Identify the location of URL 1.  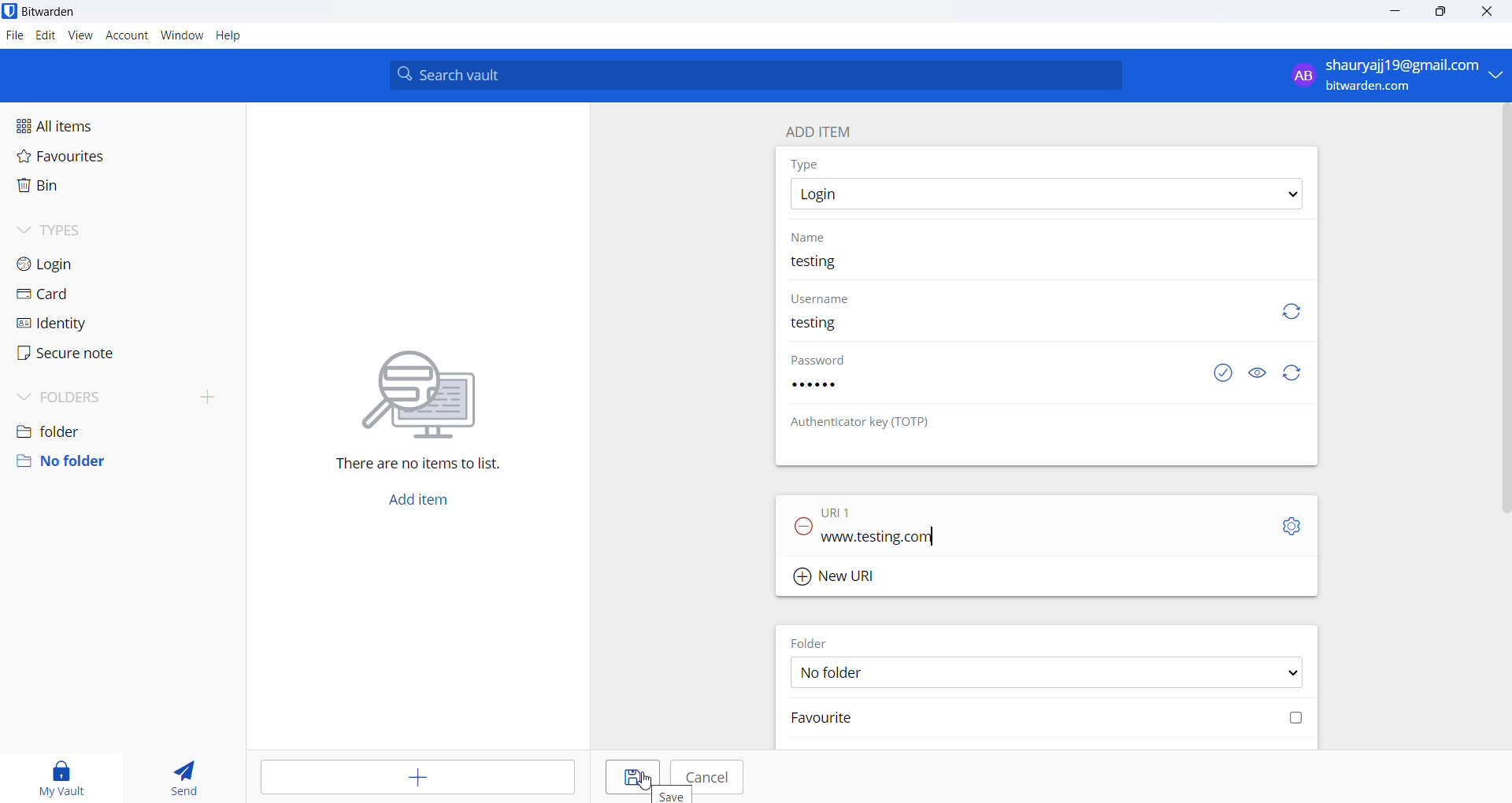
(865, 511).